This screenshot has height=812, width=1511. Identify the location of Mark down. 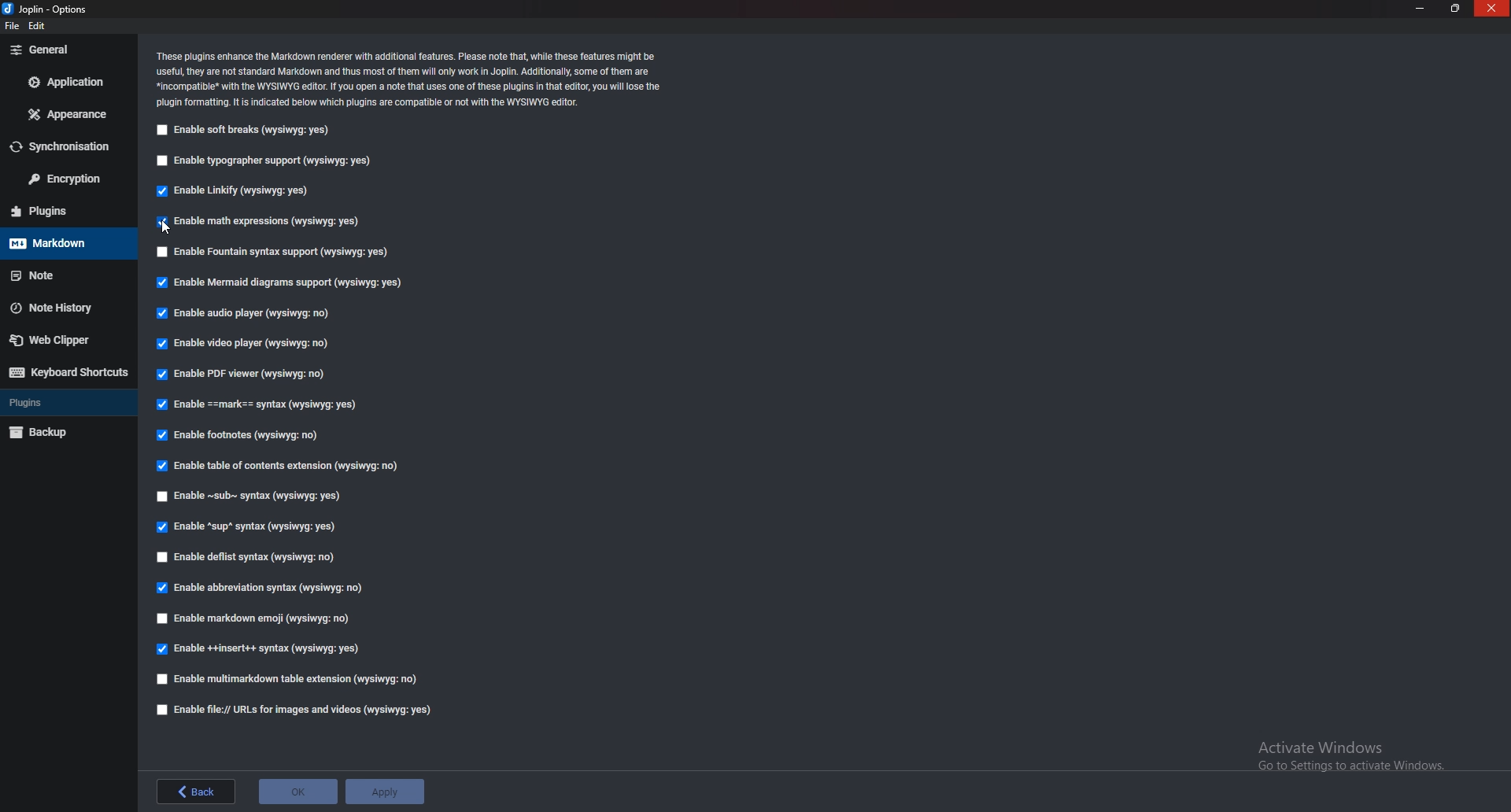
(65, 244).